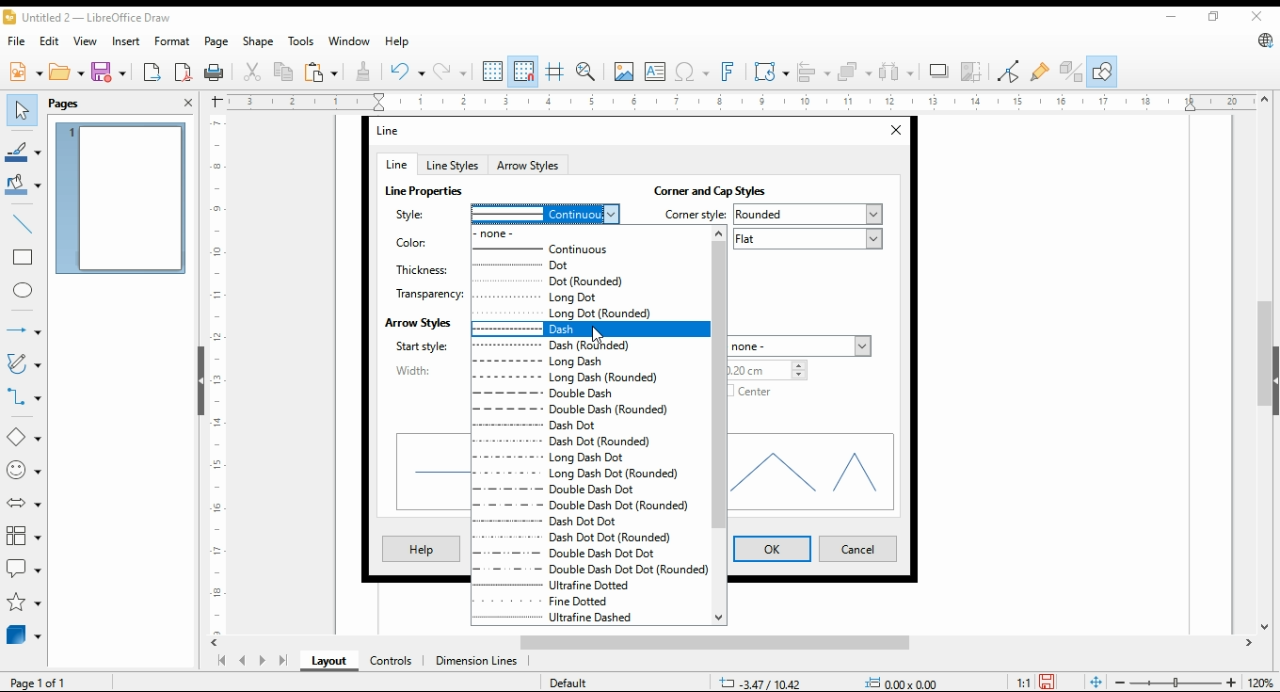  Describe the element at coordinates (408, 70) in the screenshot. I see `undo` at that location.